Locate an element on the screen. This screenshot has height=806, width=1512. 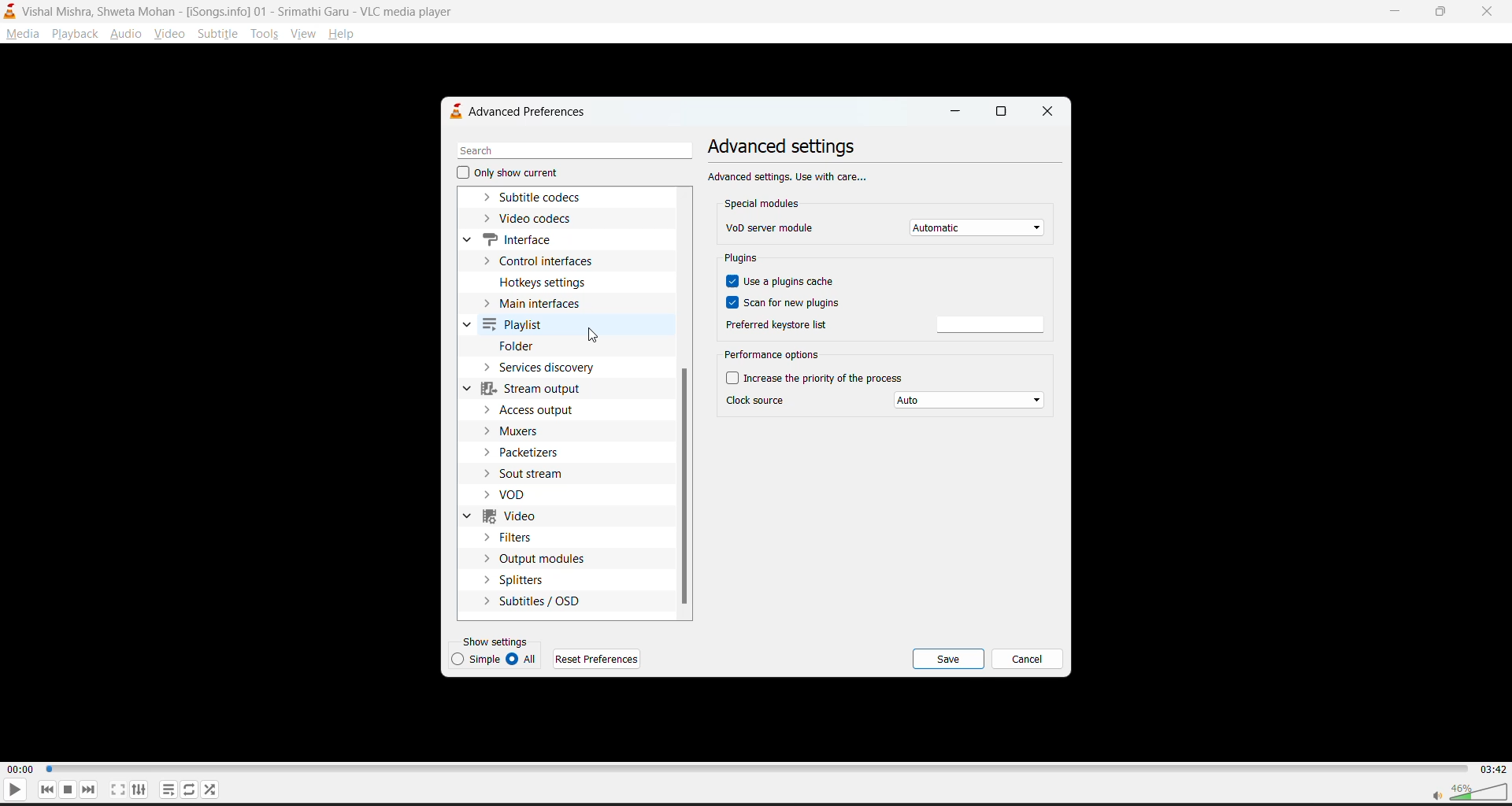
subtitles is located at coordinates (543, 602).